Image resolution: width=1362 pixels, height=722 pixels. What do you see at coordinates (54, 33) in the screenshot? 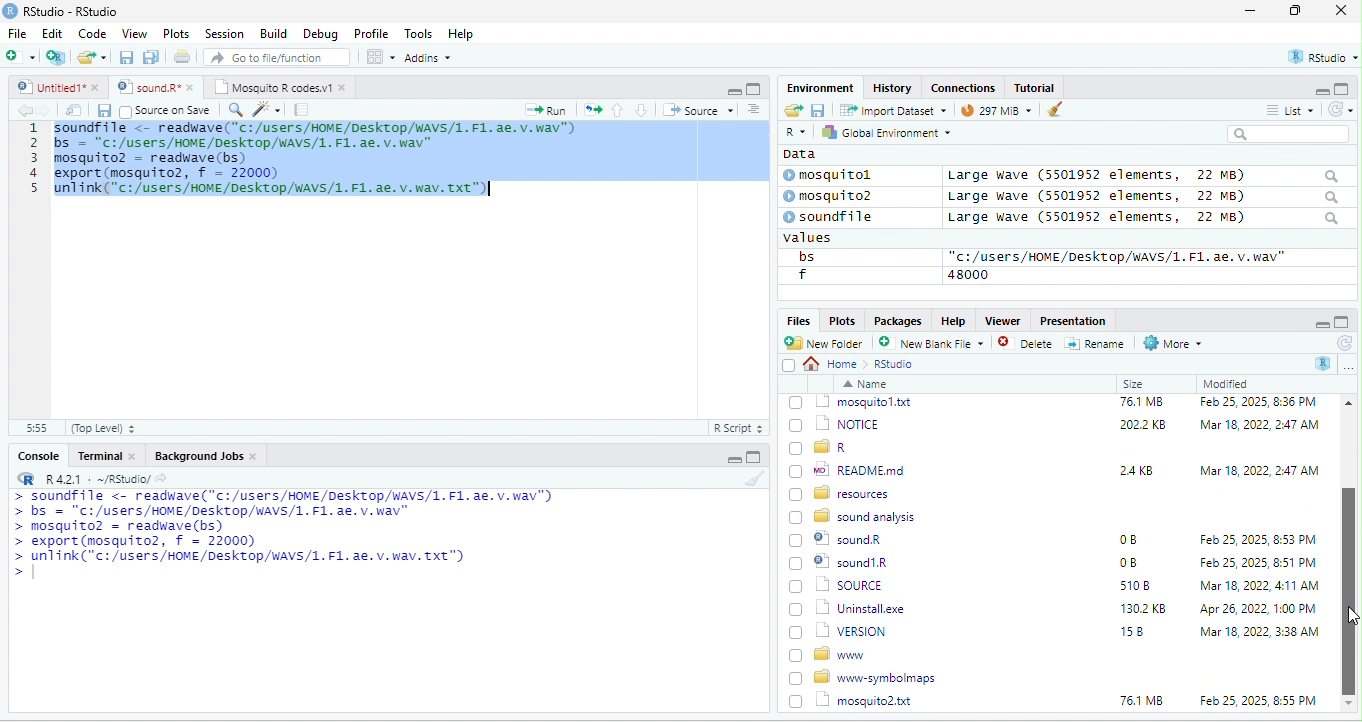
I see `Edit` at bounding box center [54, 33].